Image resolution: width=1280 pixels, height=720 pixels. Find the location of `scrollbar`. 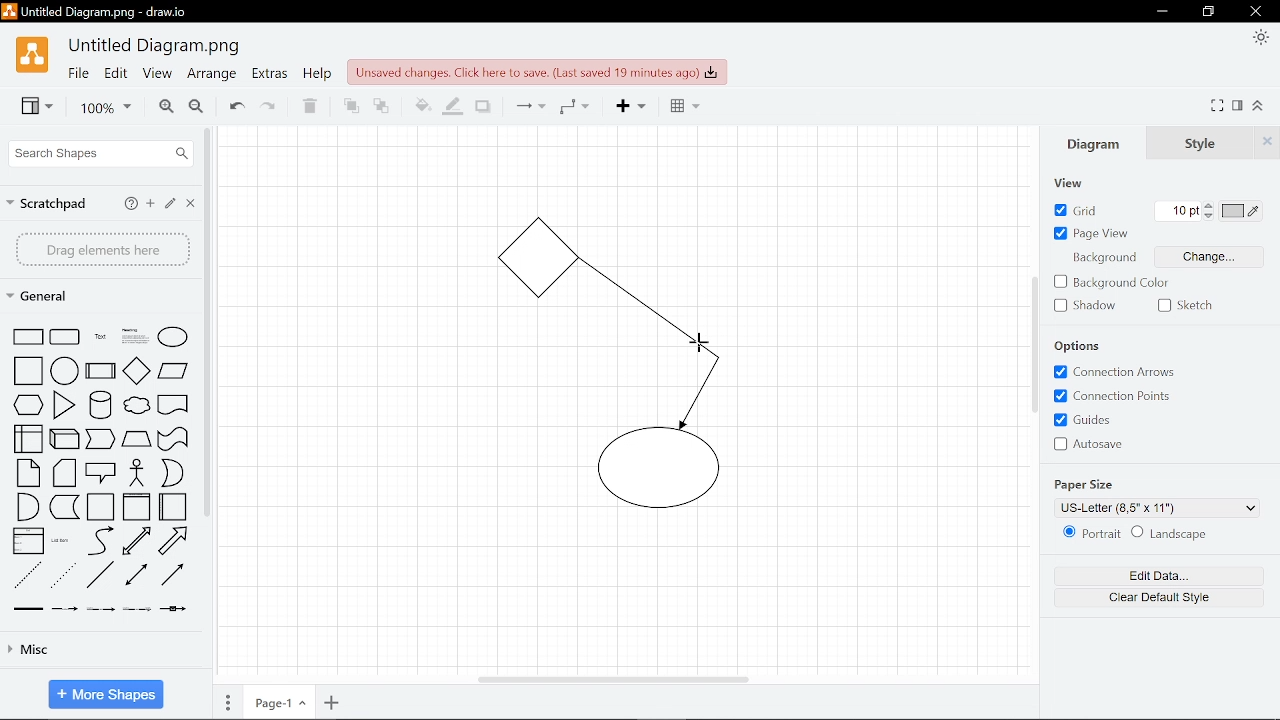

scrollbar is located at coordinates (208, 323).